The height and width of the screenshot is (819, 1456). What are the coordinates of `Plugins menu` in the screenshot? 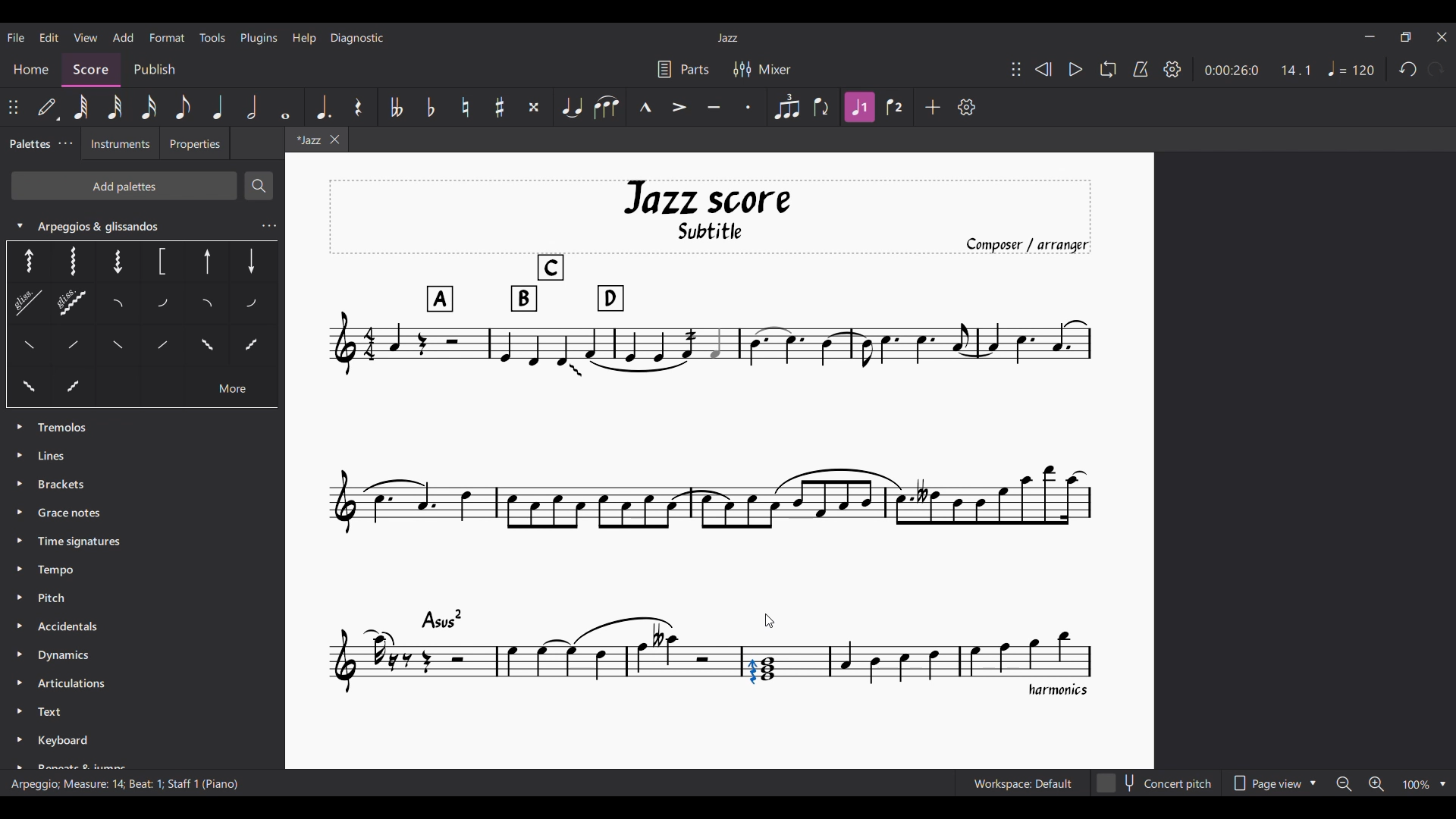 It's located at (259, 39).